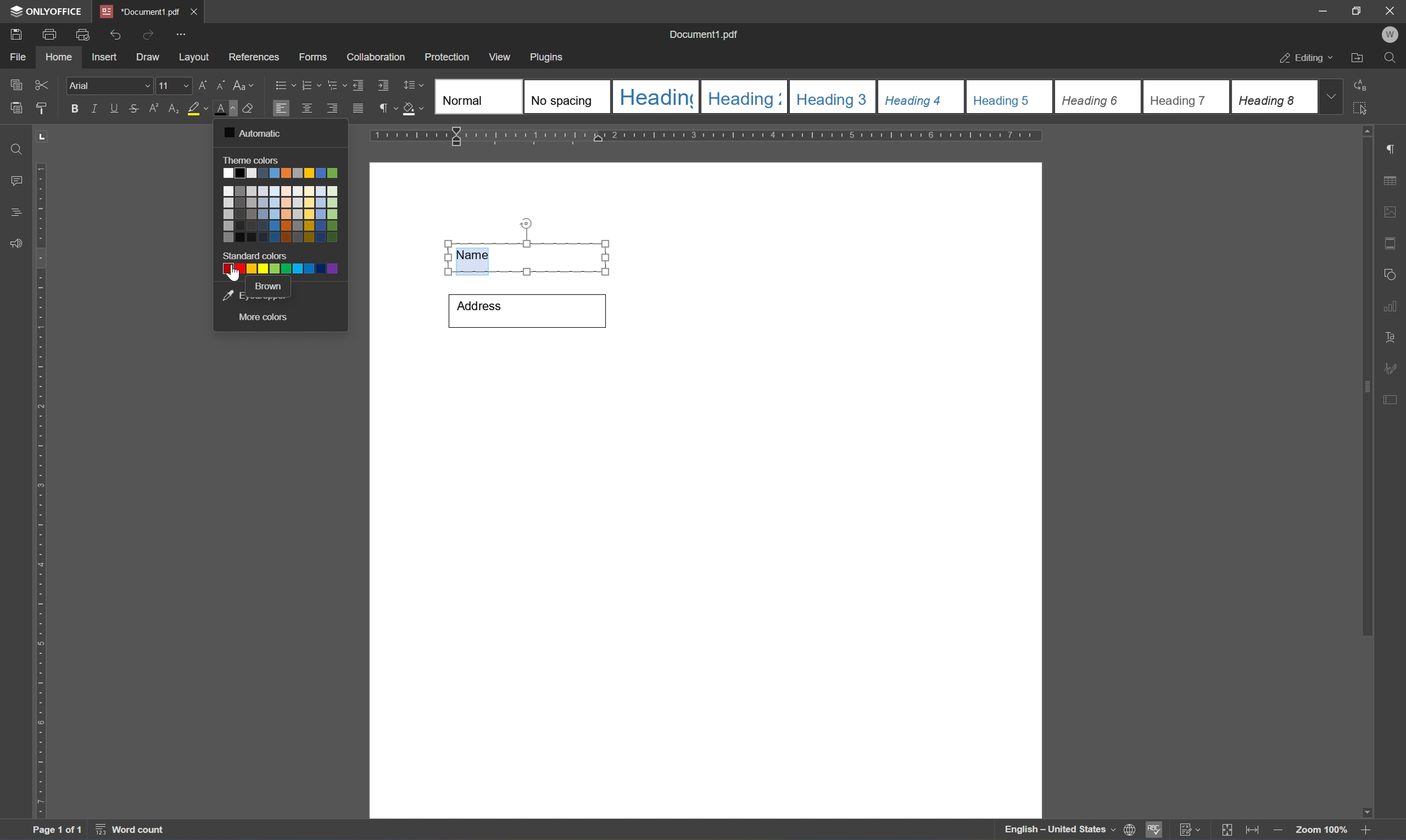 The width and height of the screenshot is (1406, 840). Describe the element at coordinates (139, 11) in the screenshot. I see `presentation1.pdf` at that location.